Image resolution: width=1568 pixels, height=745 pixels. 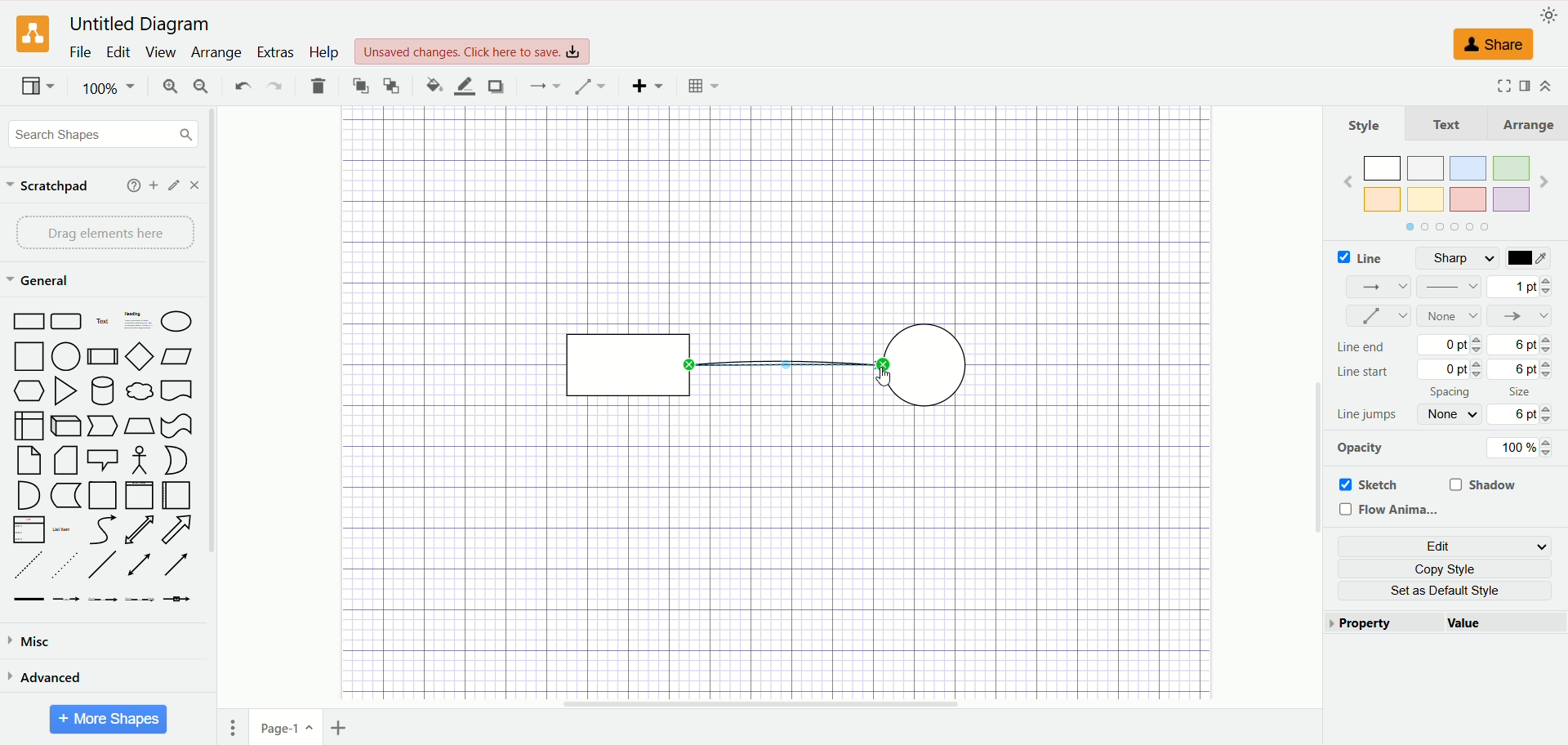 I want to click on text, so click(x=1447, y=123).